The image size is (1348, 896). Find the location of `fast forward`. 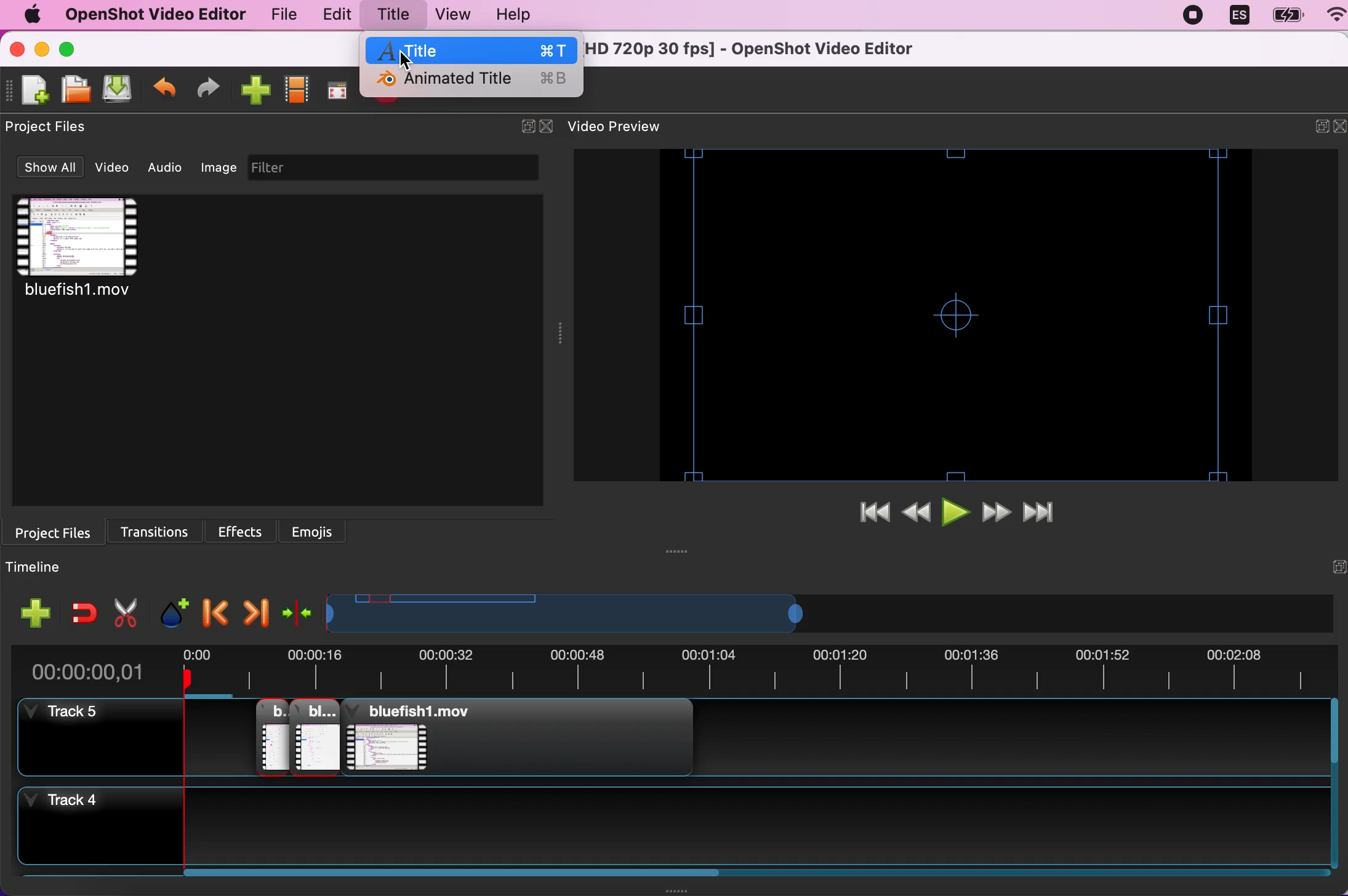

fast forward is located at coordinates (998, 514).